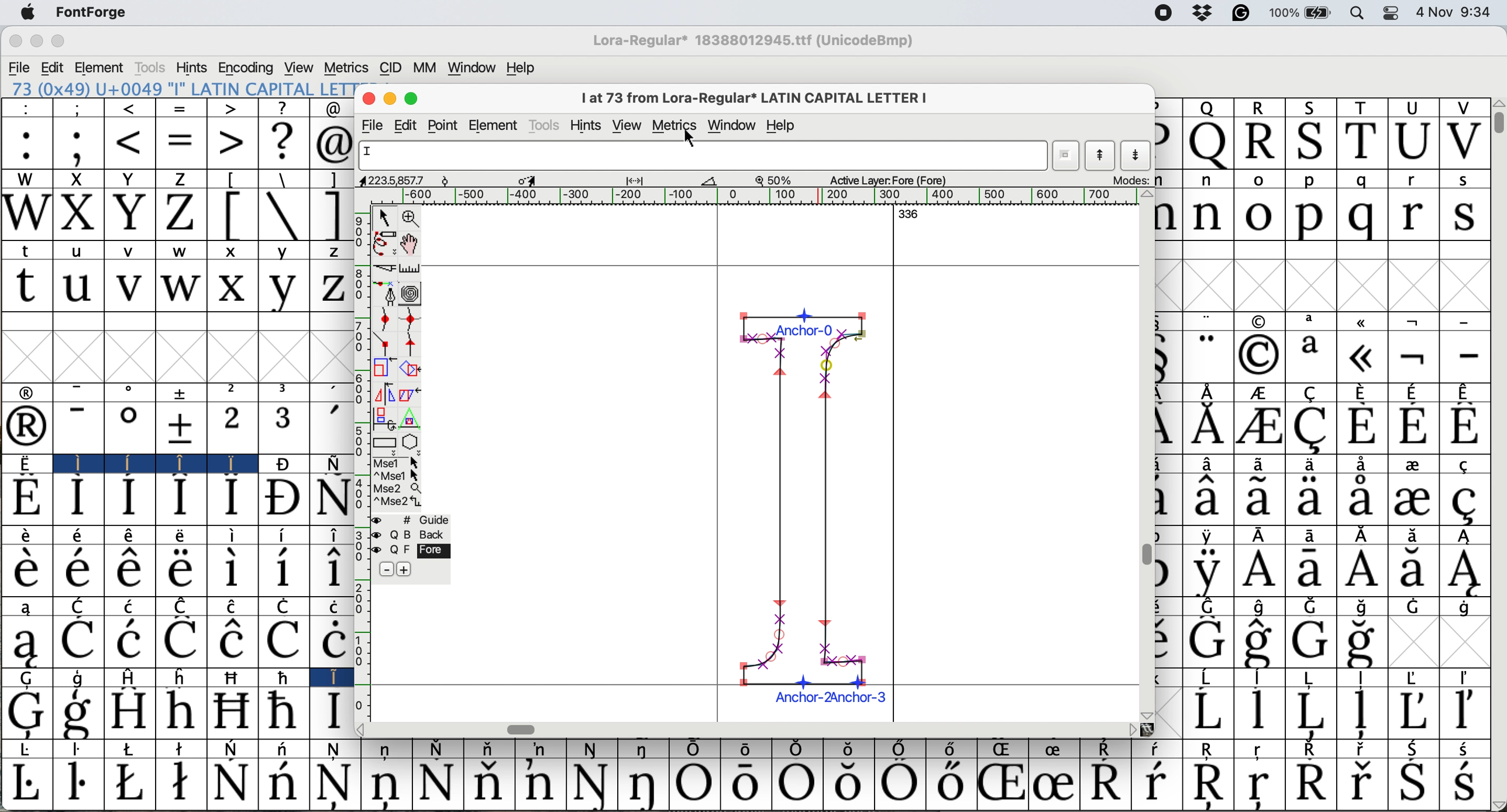  Describe the element at coordinates (285, 748) in the screenshot. I see `Symbol` at that location.